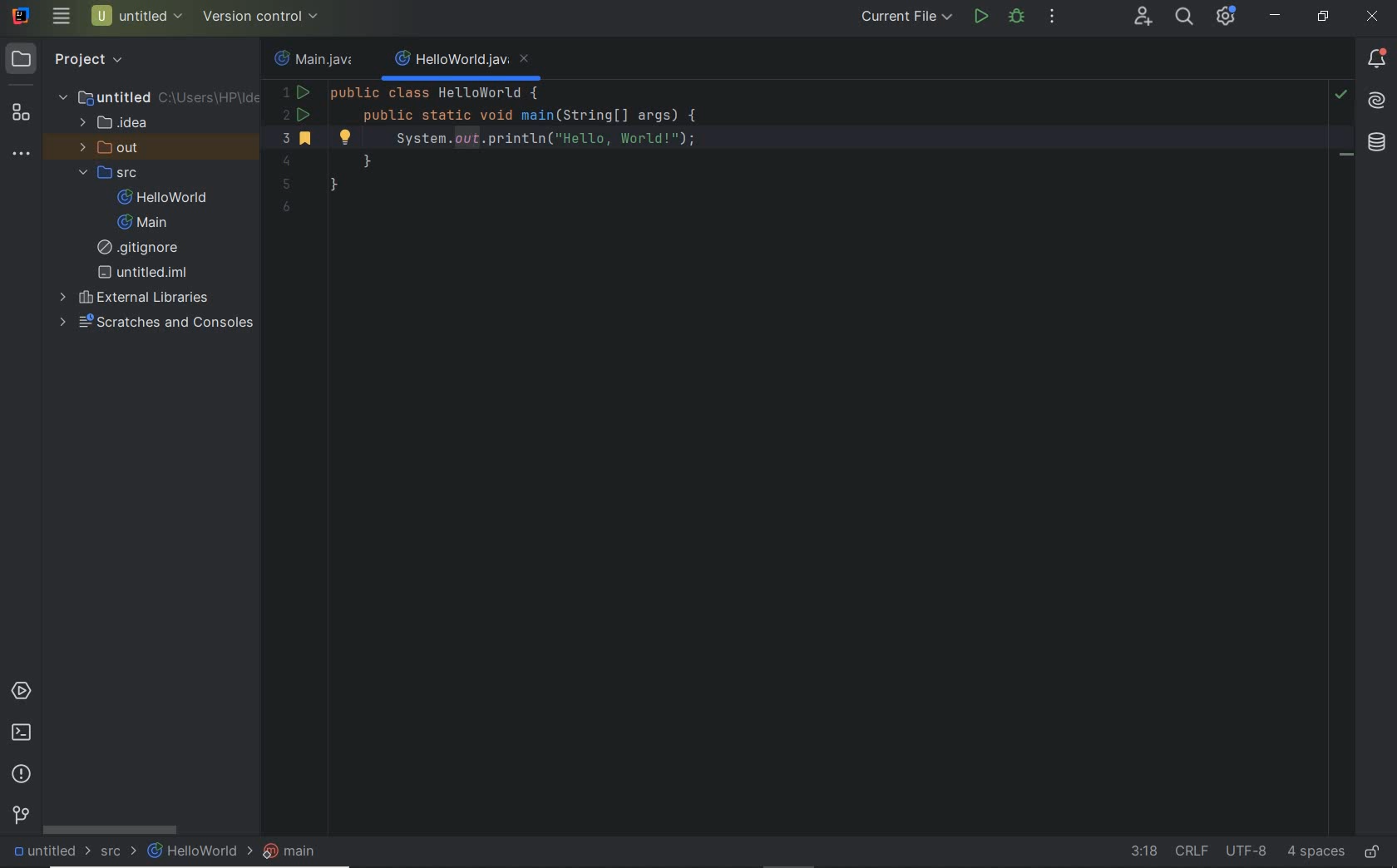  Describe the element at coordinates (1314, 853) in the screenshot. I see `4 spaces(indent)` at that location.